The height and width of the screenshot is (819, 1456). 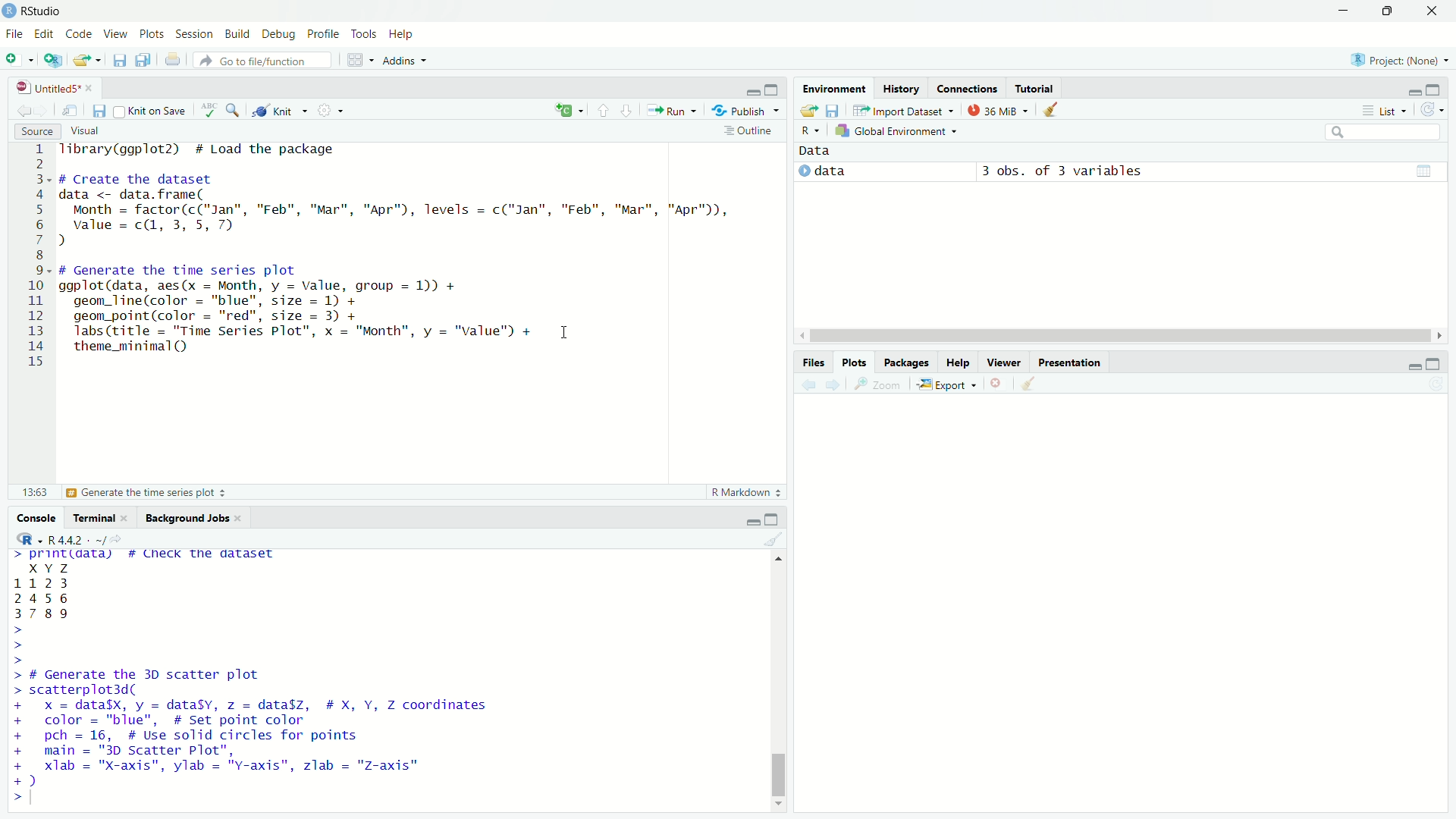 What do you see at coordinates (817, 151) in the screenshot?
I see `data` at bounding box center [817, 151].